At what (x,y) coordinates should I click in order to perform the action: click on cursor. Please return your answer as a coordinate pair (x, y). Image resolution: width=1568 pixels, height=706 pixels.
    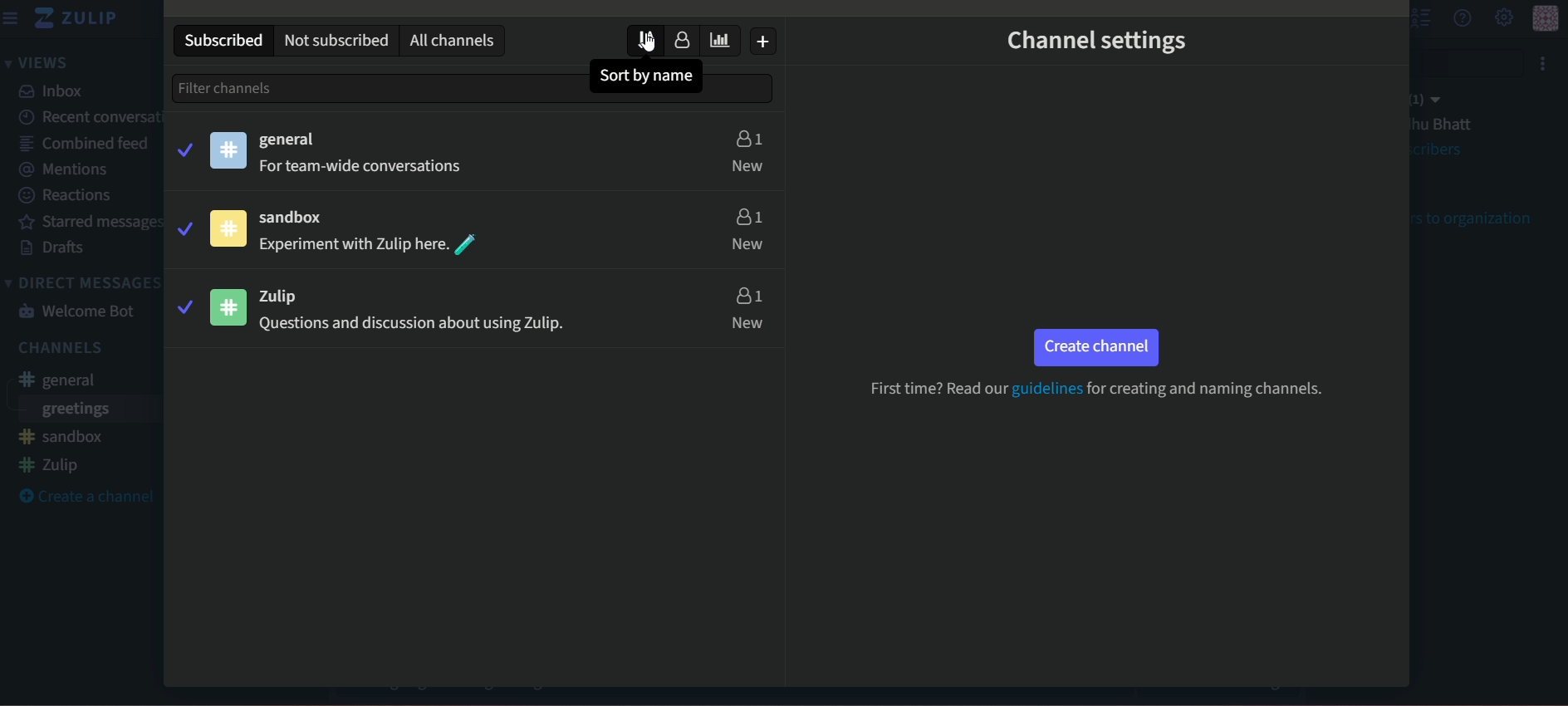
    Looking at the image, I should click on (639, 42).